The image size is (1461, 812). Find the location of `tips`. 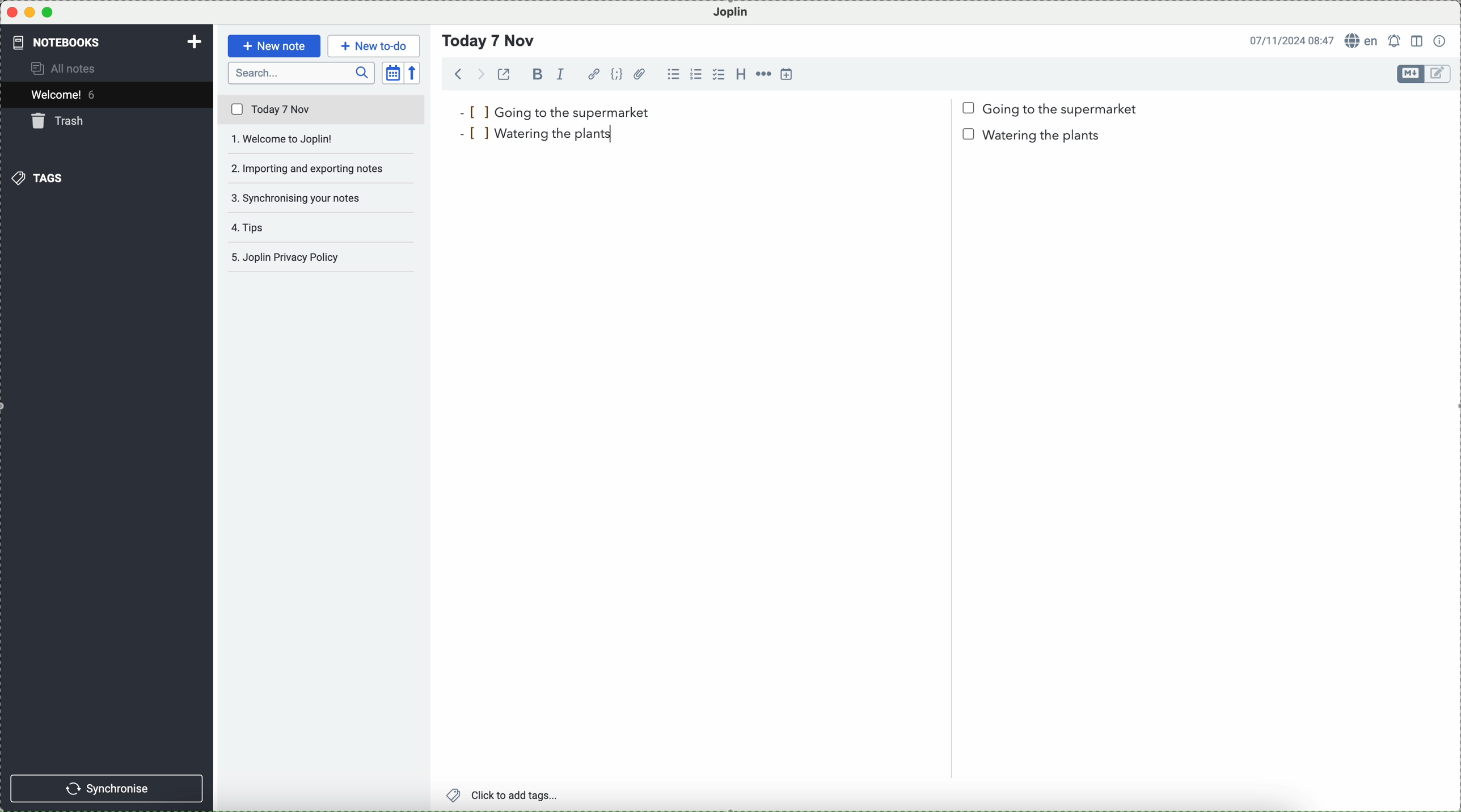

tips is located at coordinates (253, 227).